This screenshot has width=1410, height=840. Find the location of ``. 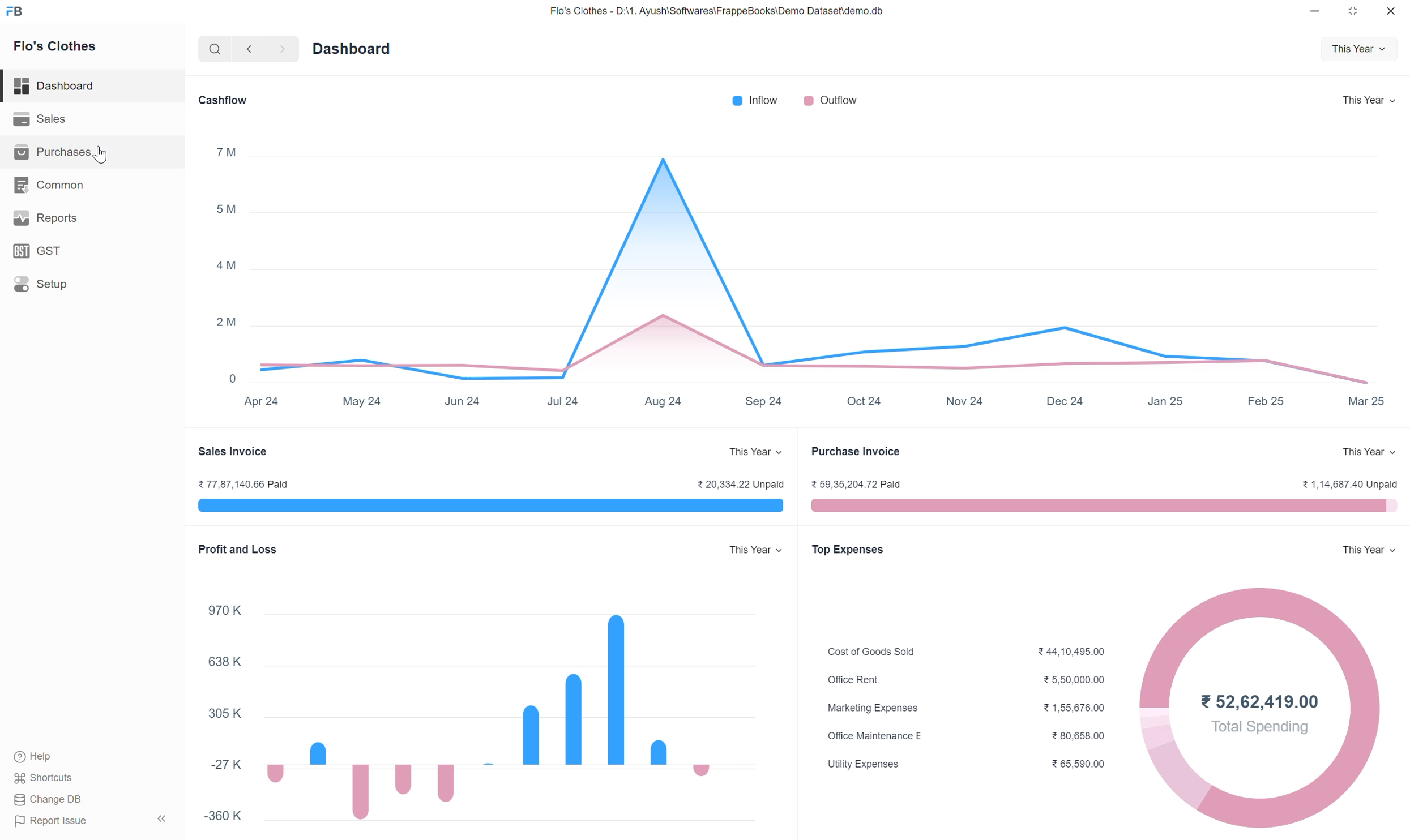

 is located at coordinates (876, 735).